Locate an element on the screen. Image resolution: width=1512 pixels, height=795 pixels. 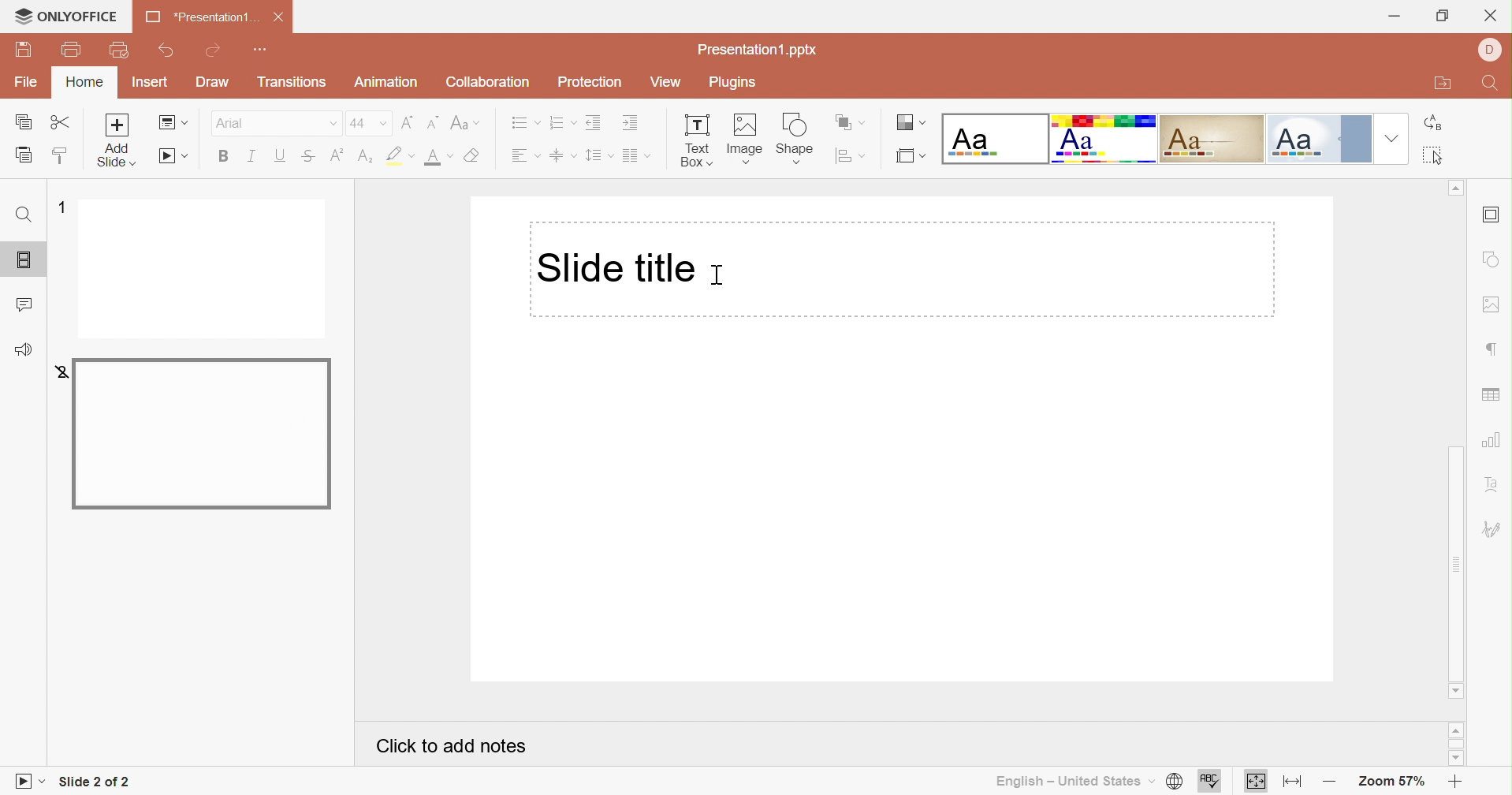
Zoom out is located at coordinates (1329, 785).